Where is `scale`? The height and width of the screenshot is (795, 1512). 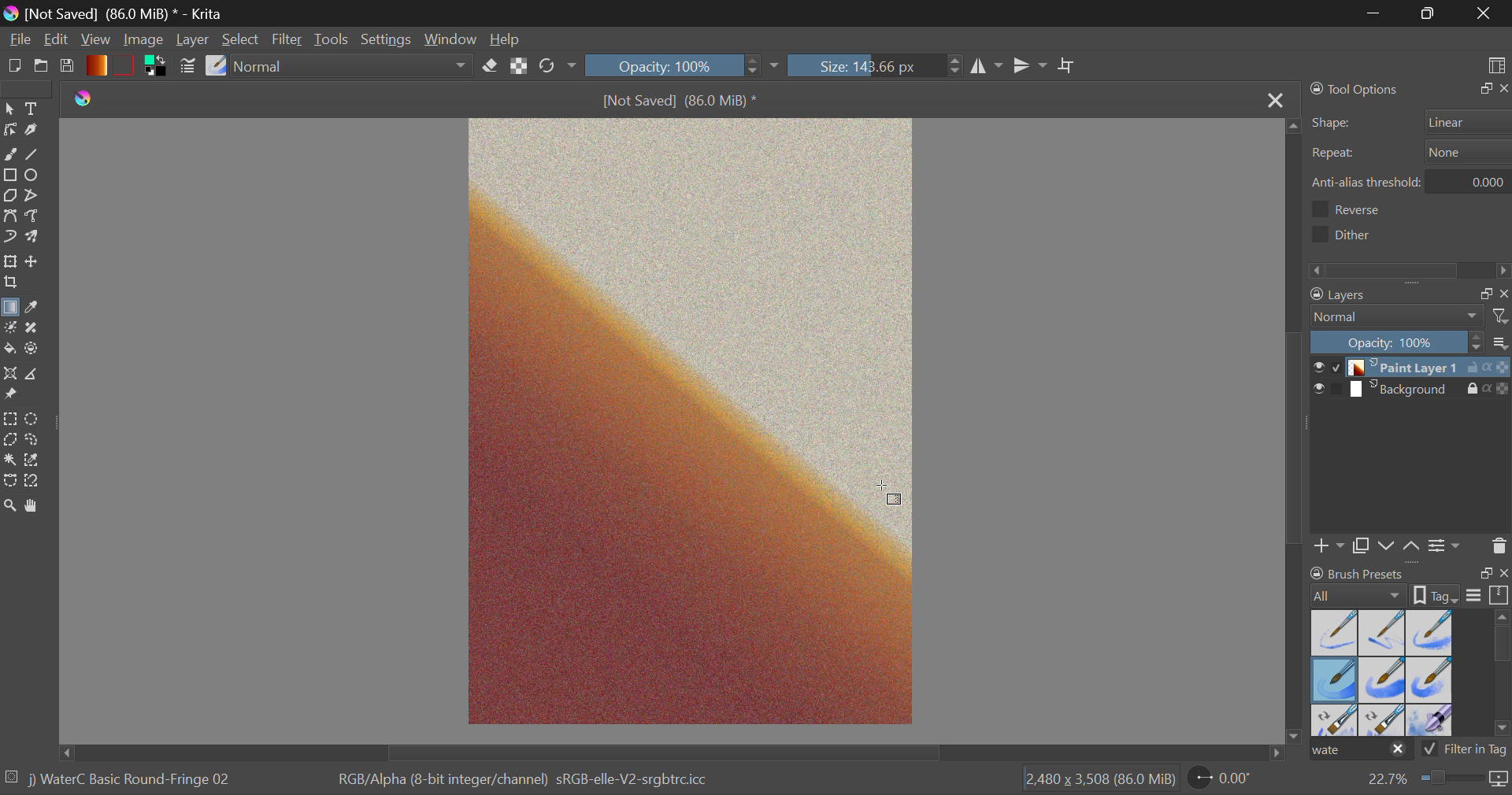 scale is located at coordinates (1499, 596).